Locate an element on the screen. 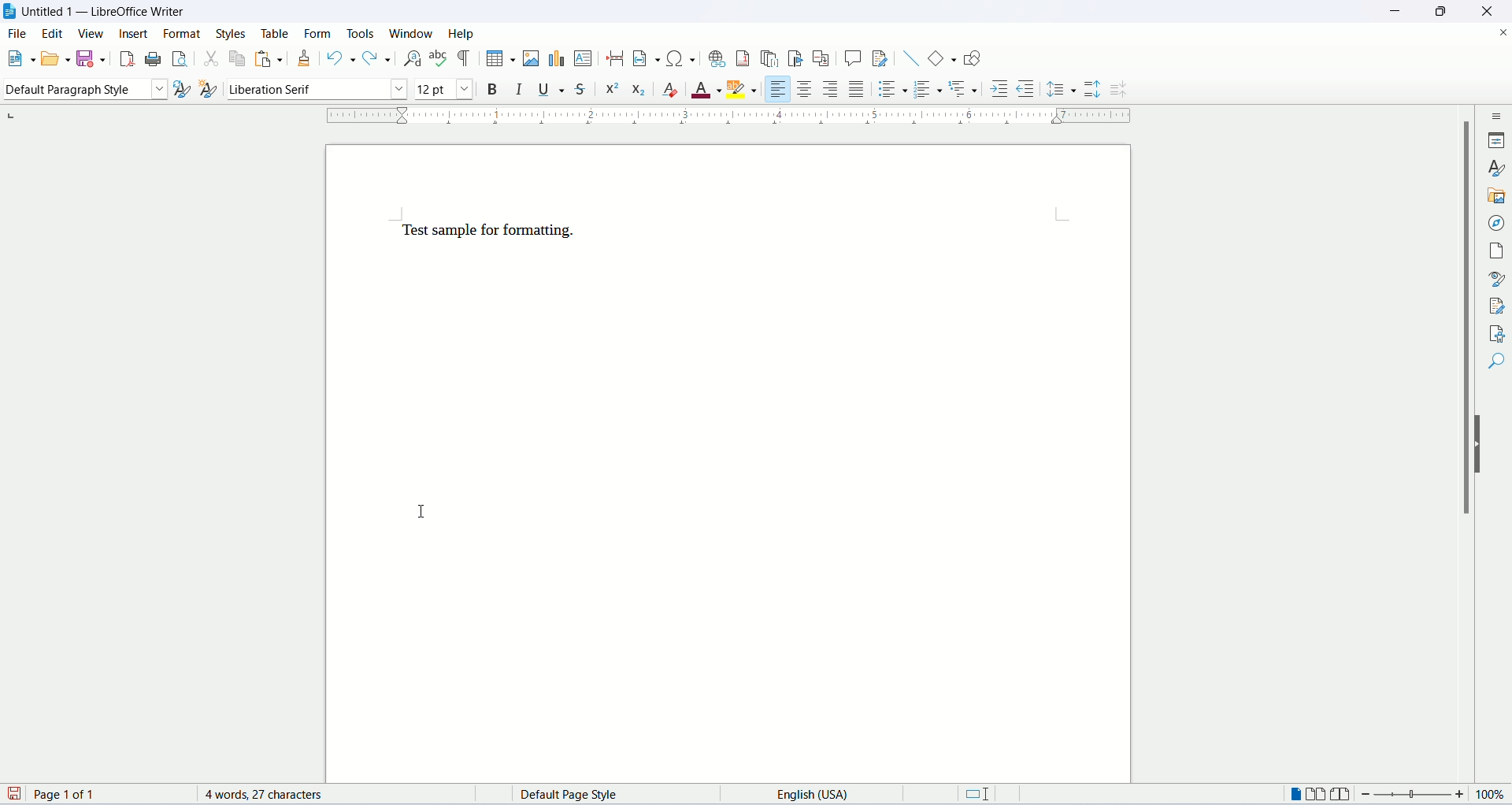 Image resolution: width=1512 pixels, height=805 pixels. insert chart is located at coordinates (555, 59).